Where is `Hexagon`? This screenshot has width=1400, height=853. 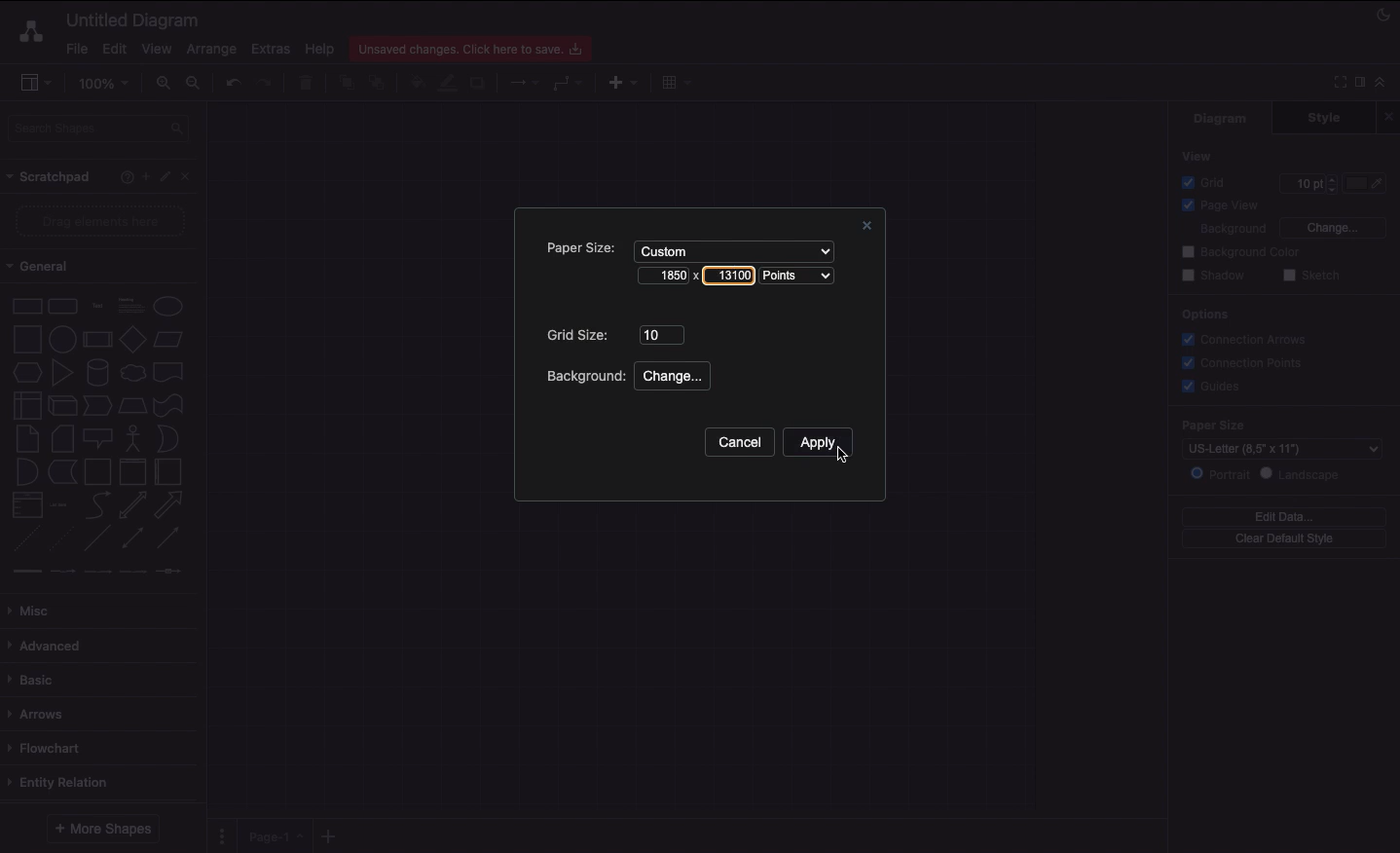 Hexagon is located at coordinates (26, 373).